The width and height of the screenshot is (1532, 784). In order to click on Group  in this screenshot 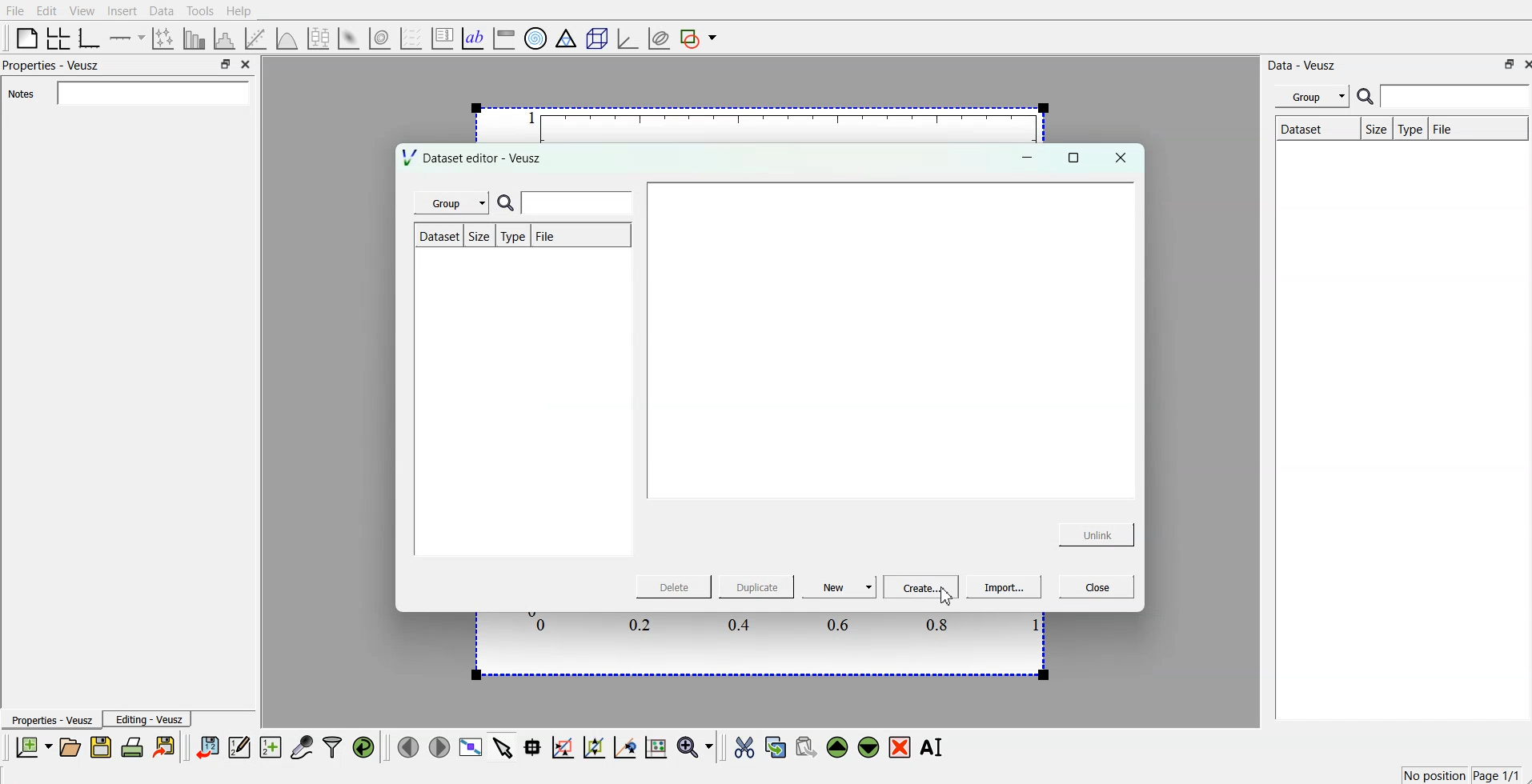, I will do `click(1313, 96)`.